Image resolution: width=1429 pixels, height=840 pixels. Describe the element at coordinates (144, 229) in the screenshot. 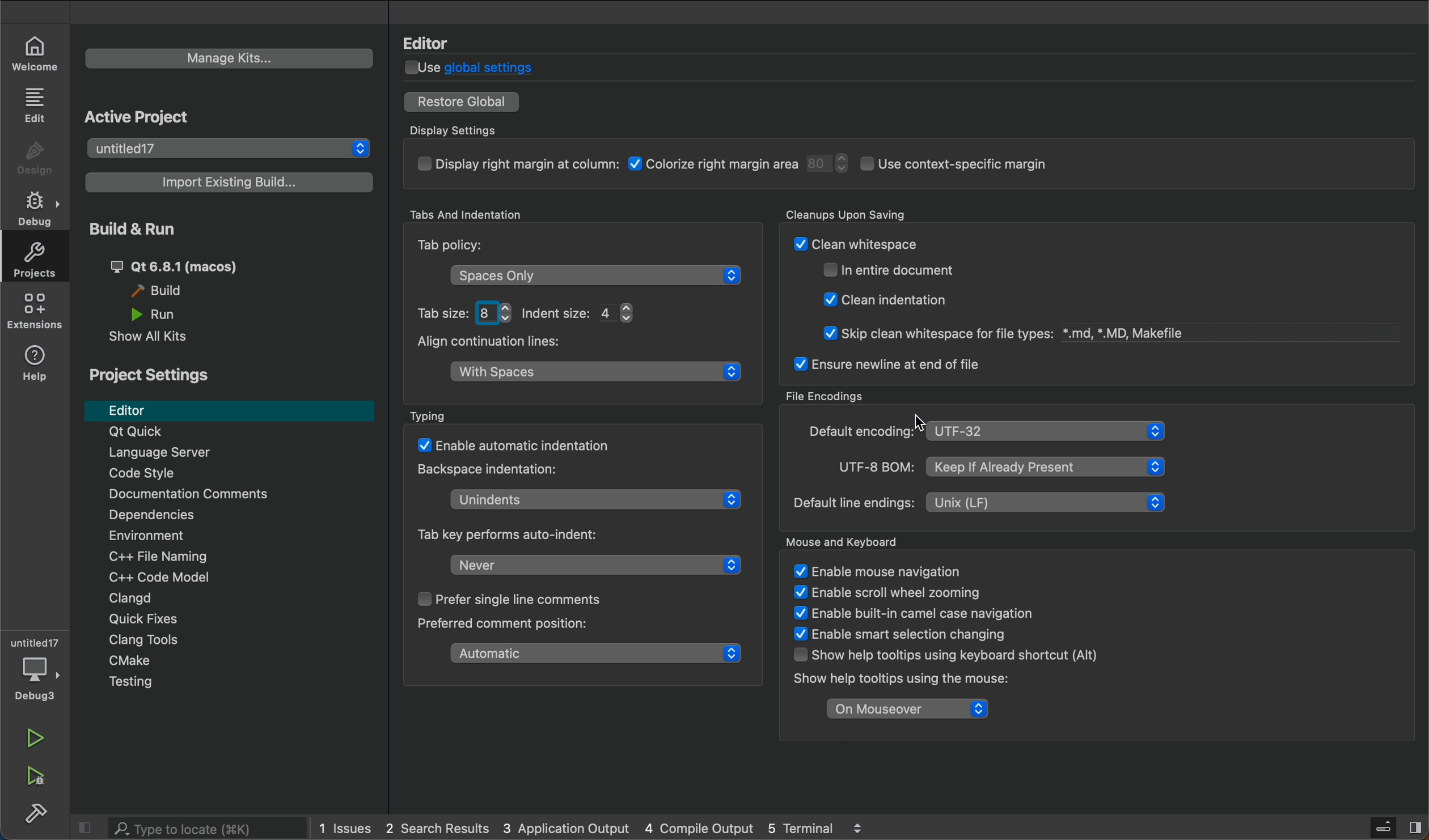

I see `Build & Run` at that location.